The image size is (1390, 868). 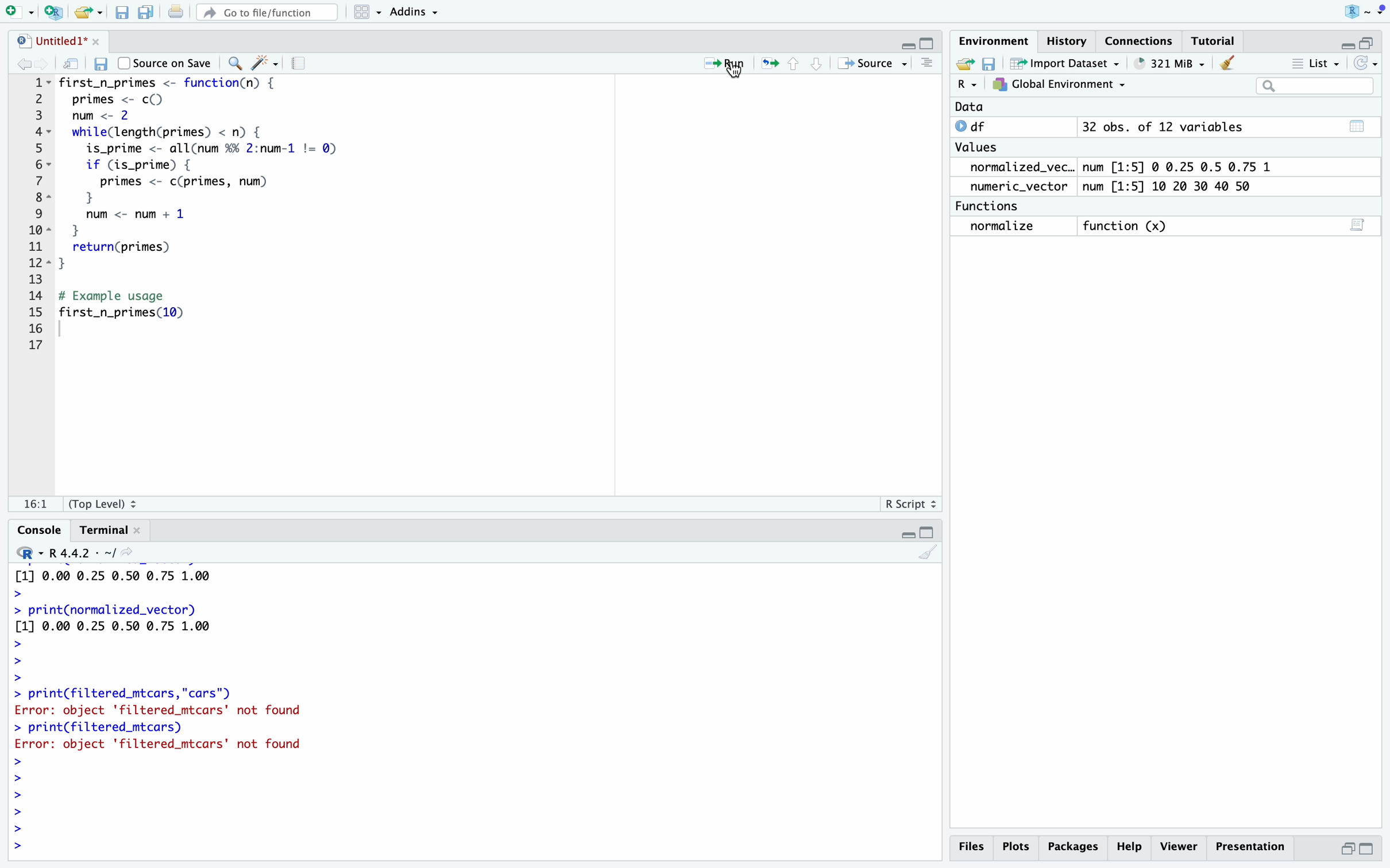 I want to click on numeric_vector num [1:5] 10 20 30 40 50, so click(x=1128, y=187).